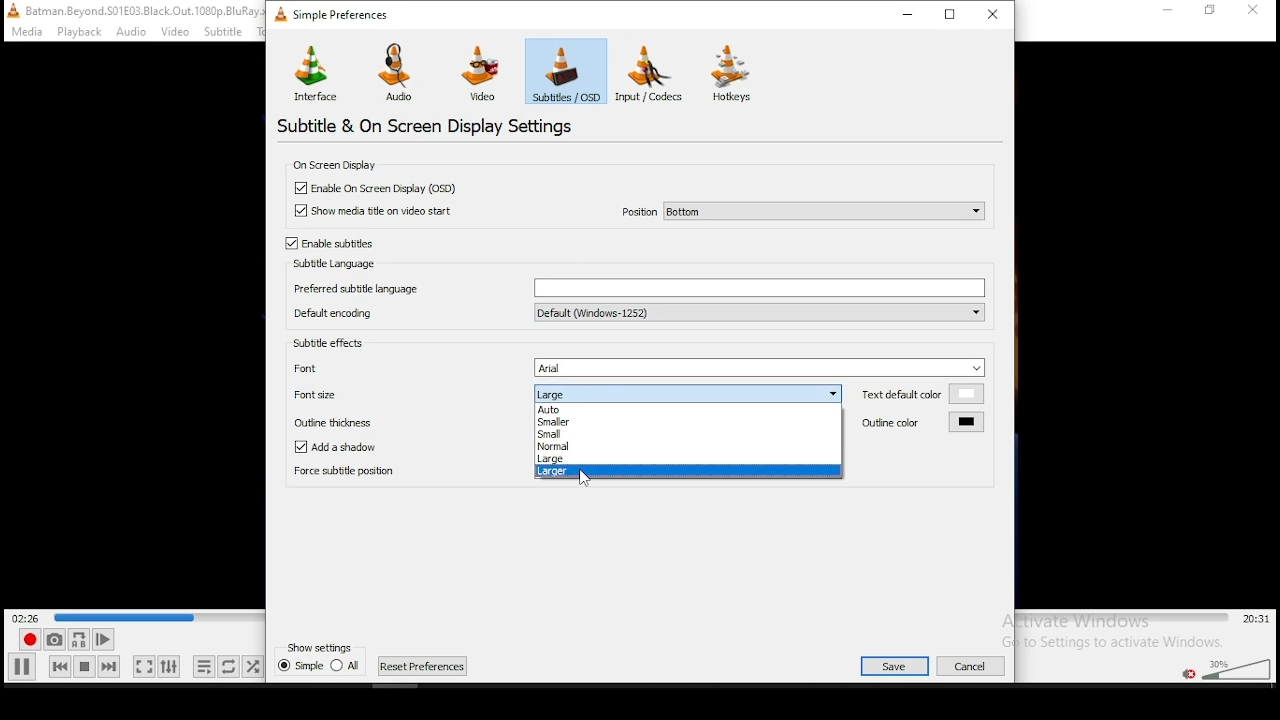  I want to click on restore, so click(1210, 11).